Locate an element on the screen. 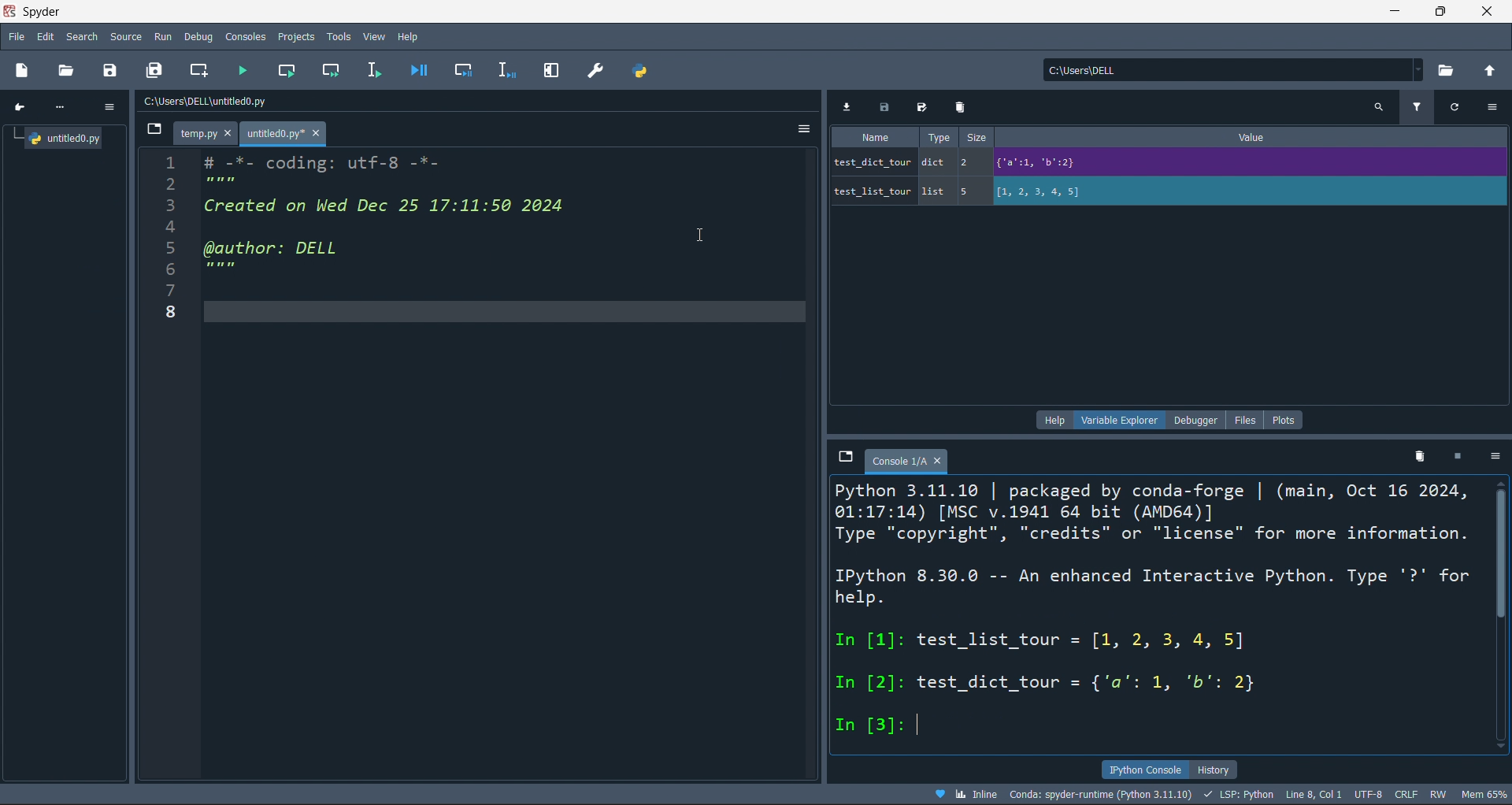  save is located at coordinates (110, 72).